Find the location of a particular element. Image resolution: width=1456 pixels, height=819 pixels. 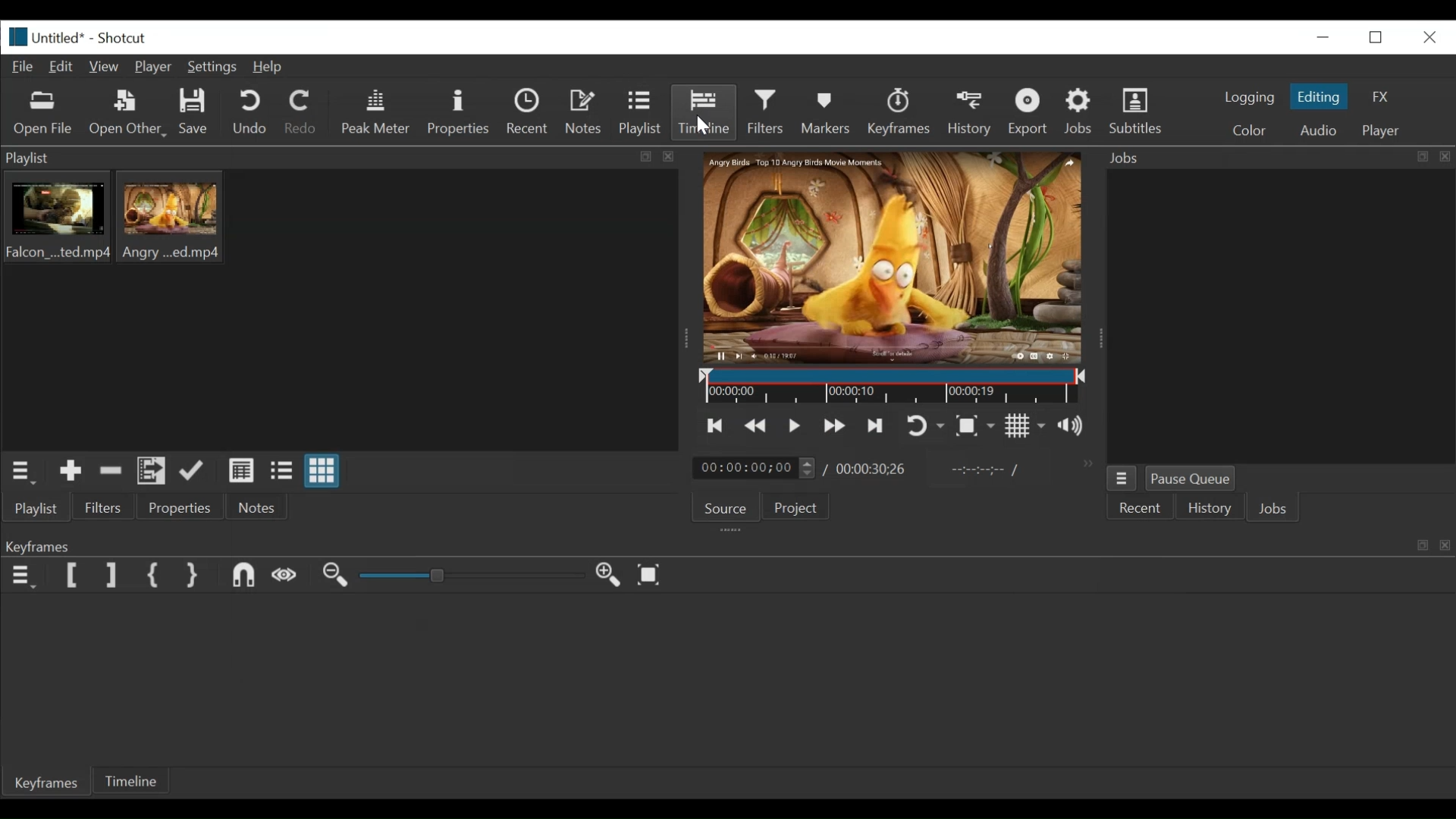

zoom keyframe to fit is located at coordinates (651, 576).